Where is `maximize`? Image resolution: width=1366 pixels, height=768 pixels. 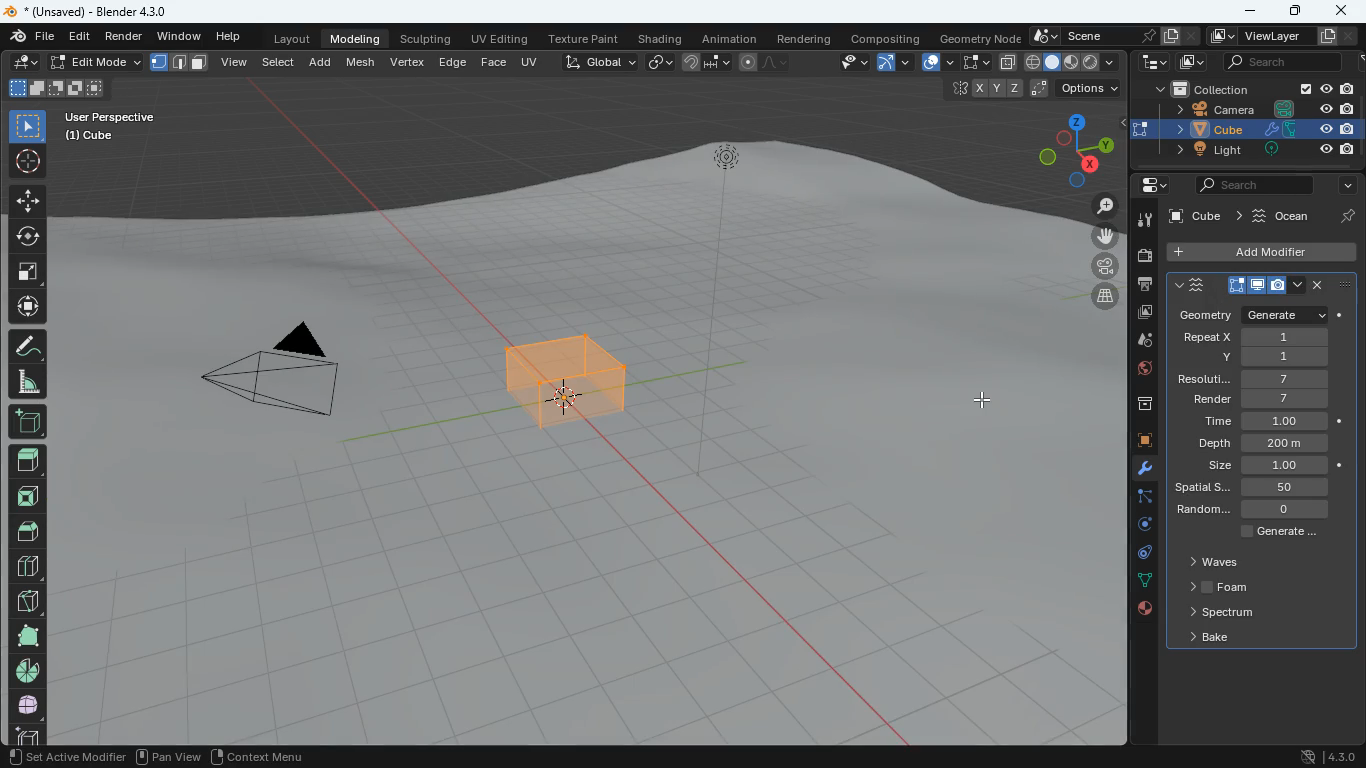
maximize is located at coordinates (1298, 11).